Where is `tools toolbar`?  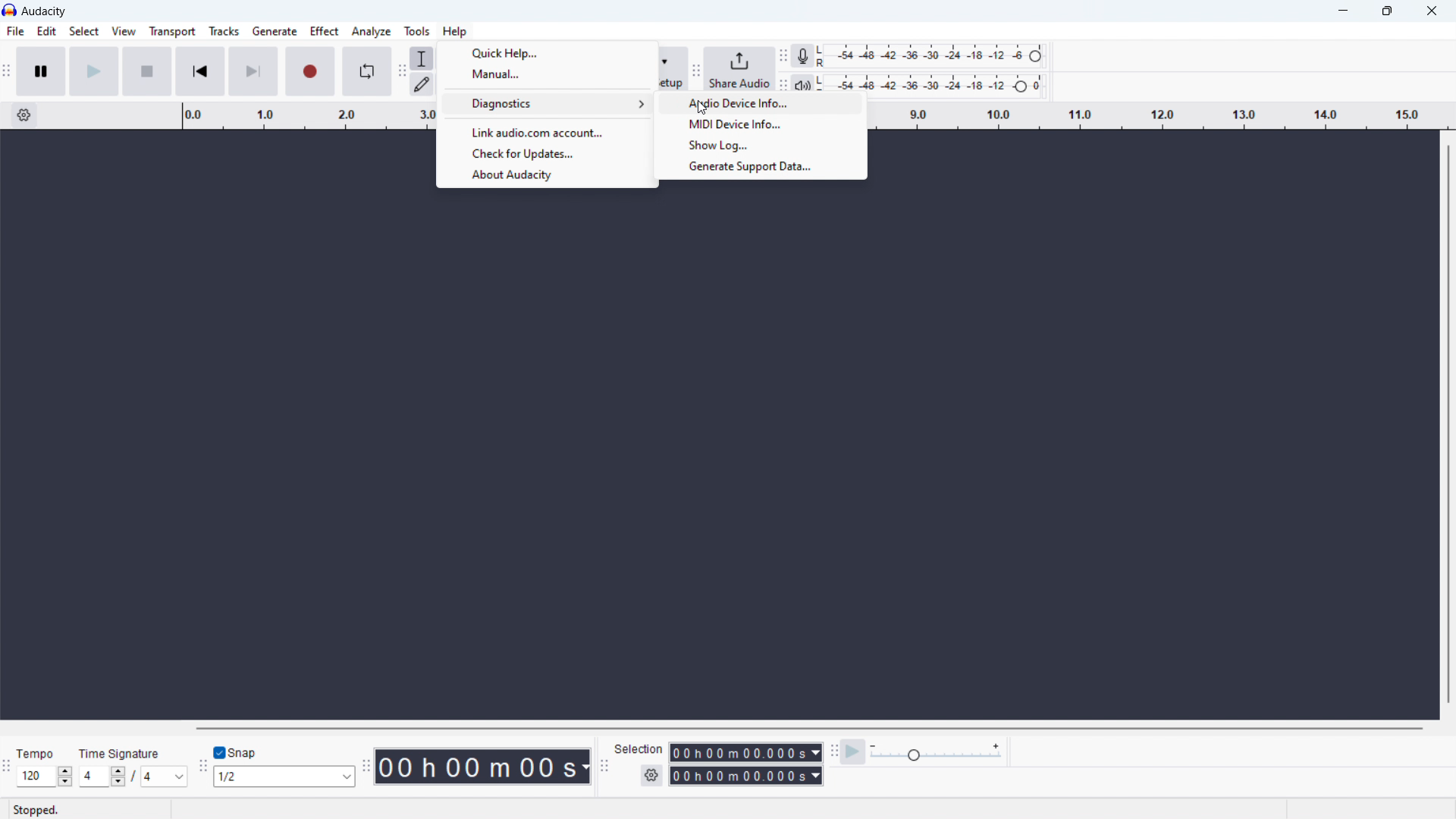
tools toolbar is located at coordinates (403, 71).